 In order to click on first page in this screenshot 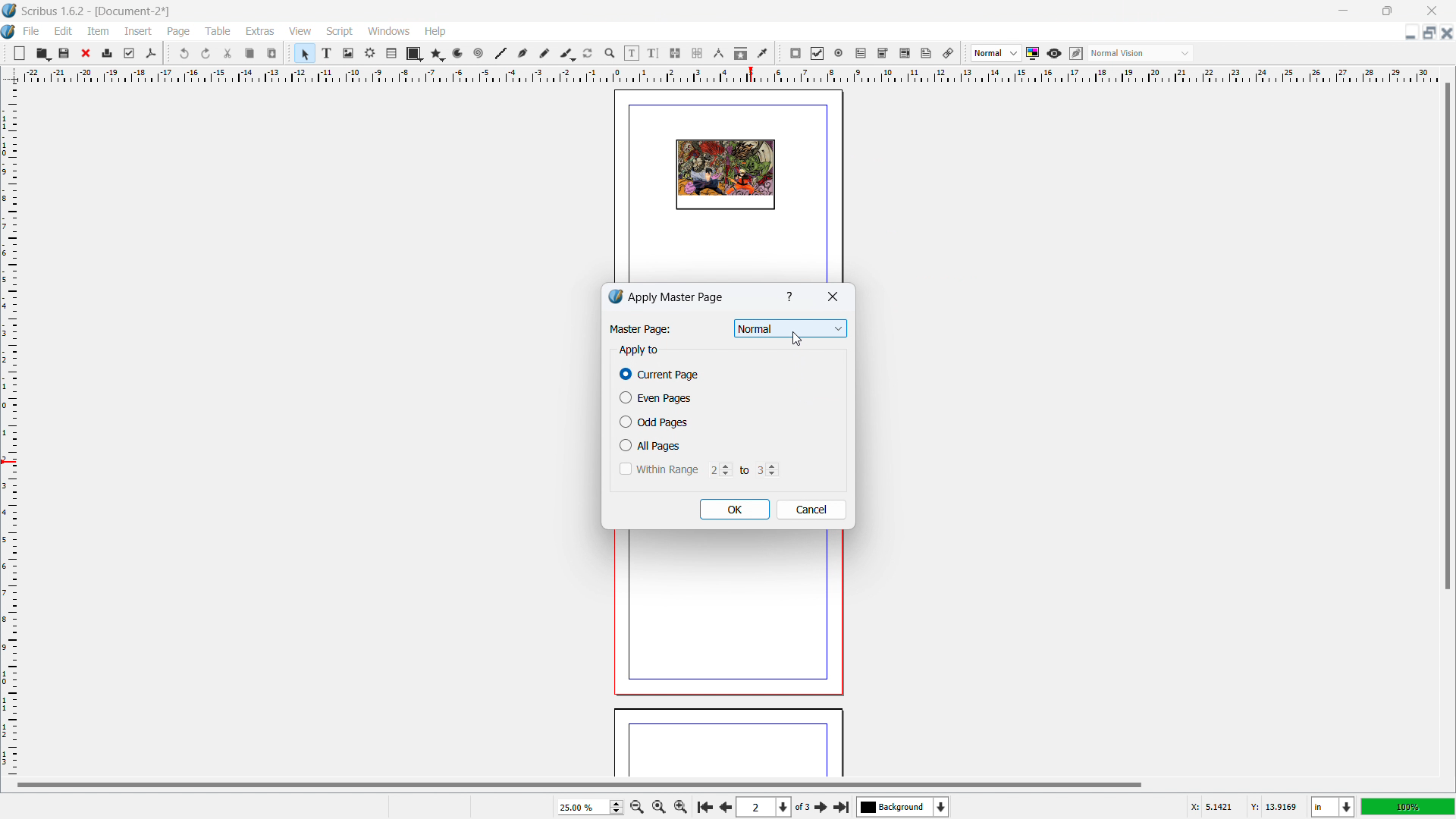, I will do `click(704, 805)`.